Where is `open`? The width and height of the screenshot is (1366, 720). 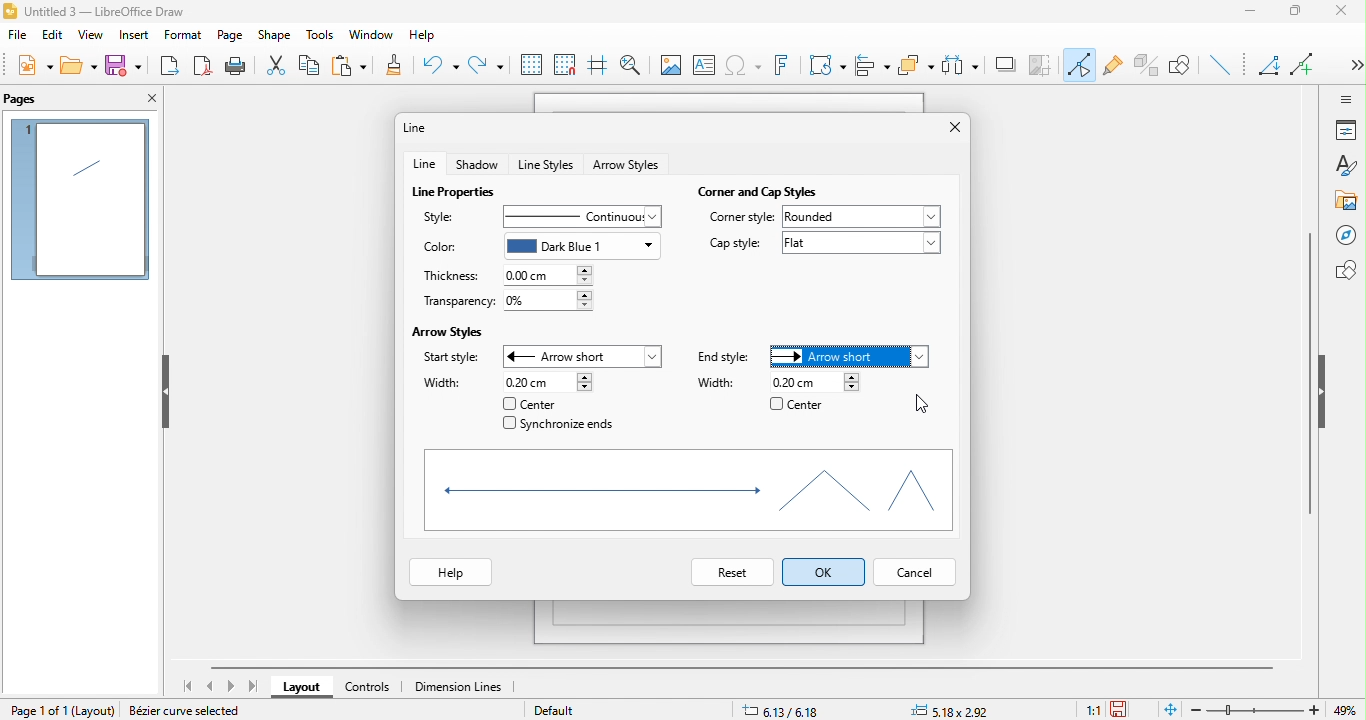 open is located at coordinates (80, 65).